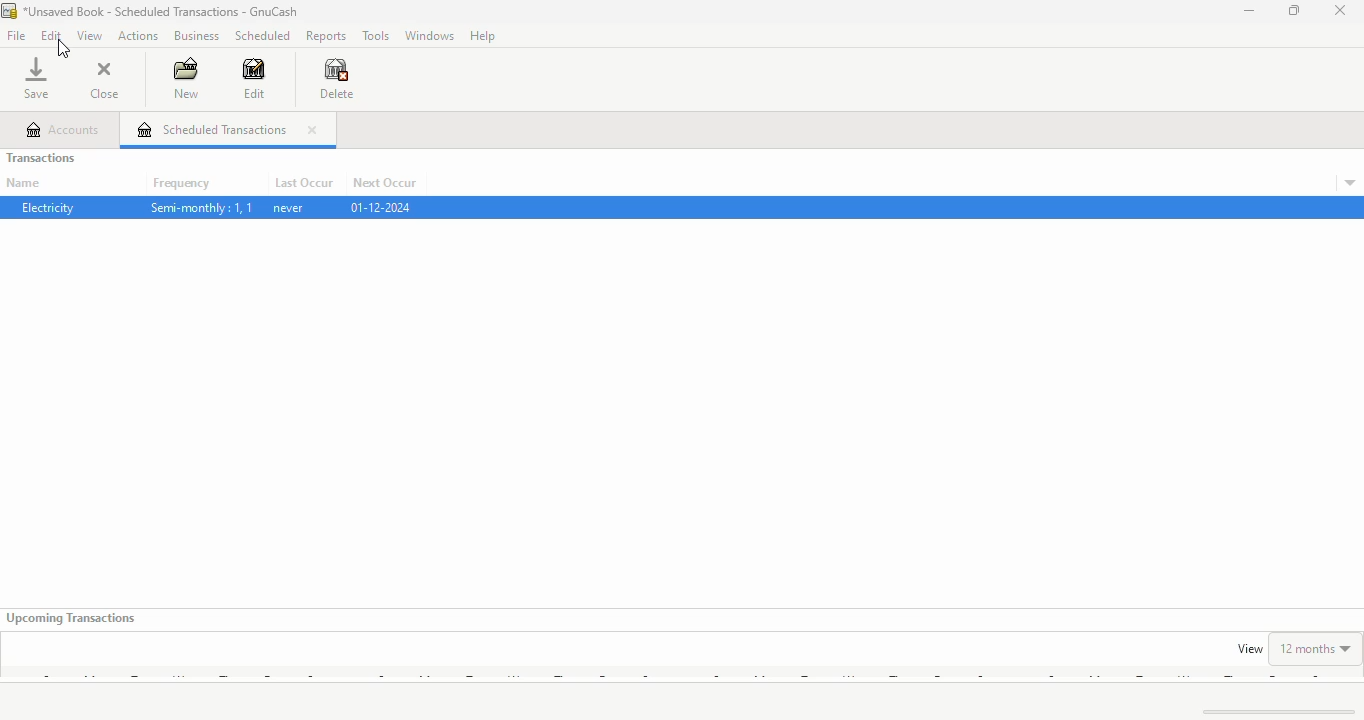  What do you see at coordinates (384, 183) in the screenshot?
I see `next occur` at bounding box center [384, 183].